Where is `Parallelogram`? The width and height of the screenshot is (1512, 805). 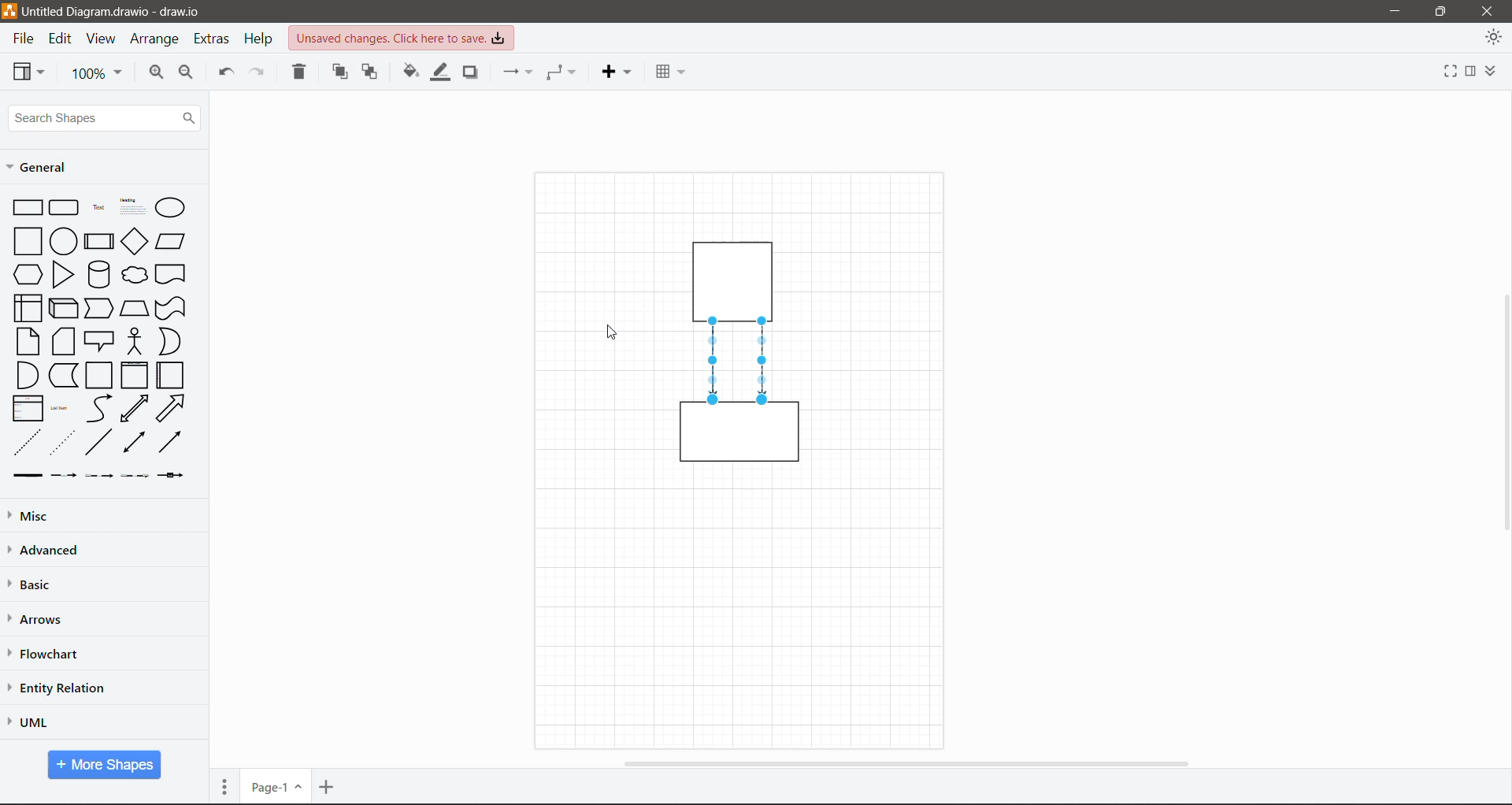 Parallelogram is located at coordinates (171, 241).